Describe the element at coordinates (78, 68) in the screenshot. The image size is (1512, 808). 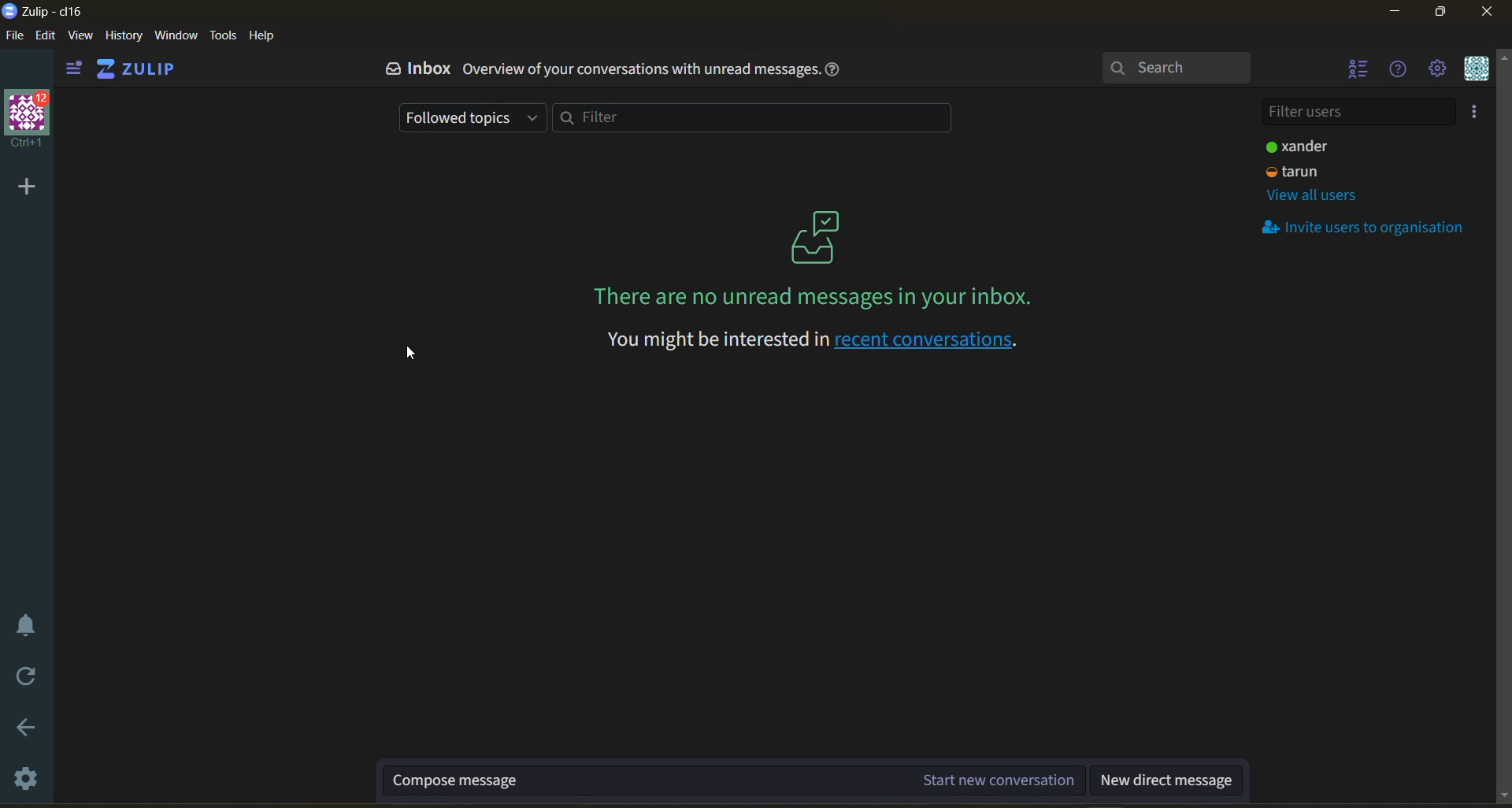
I see `show left side bar` at that location.